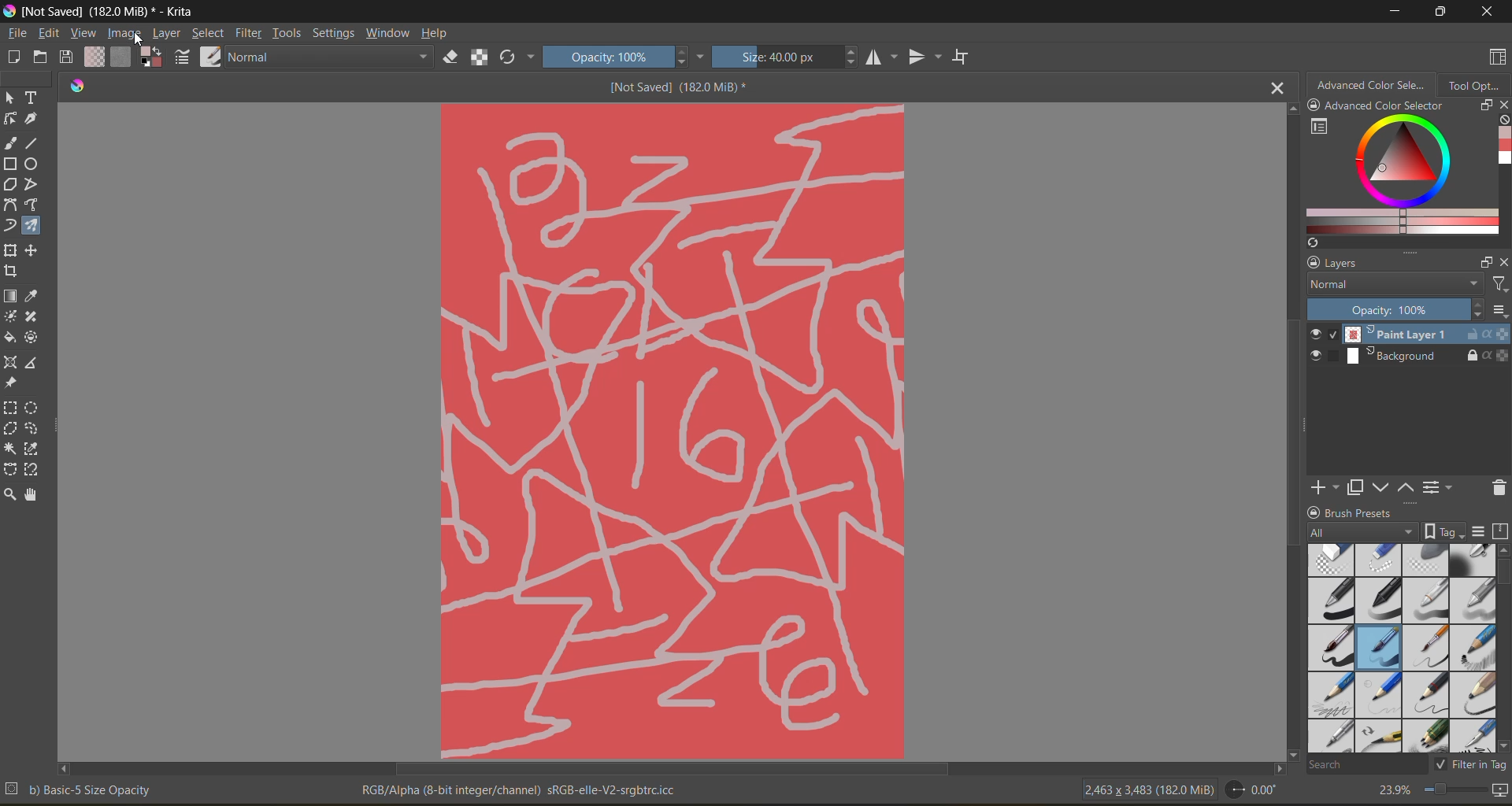  What do you see at coordinates (325, 58) in the screenshot?
I see `normal` at bounding box center [325, 58].